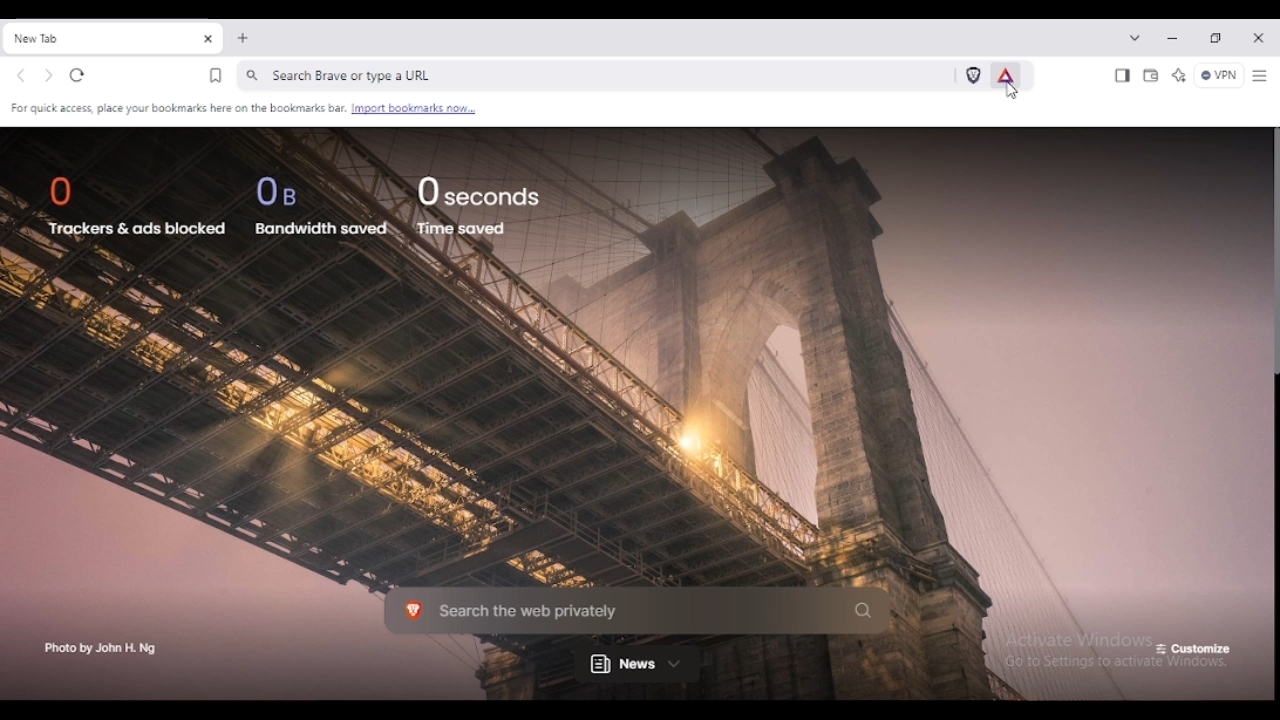 The image size is (1280, 720). What do you see at coordinates (101, 650) in the screenshot?
I see `photo by John H. Ng` at bounding box center [101, 650].